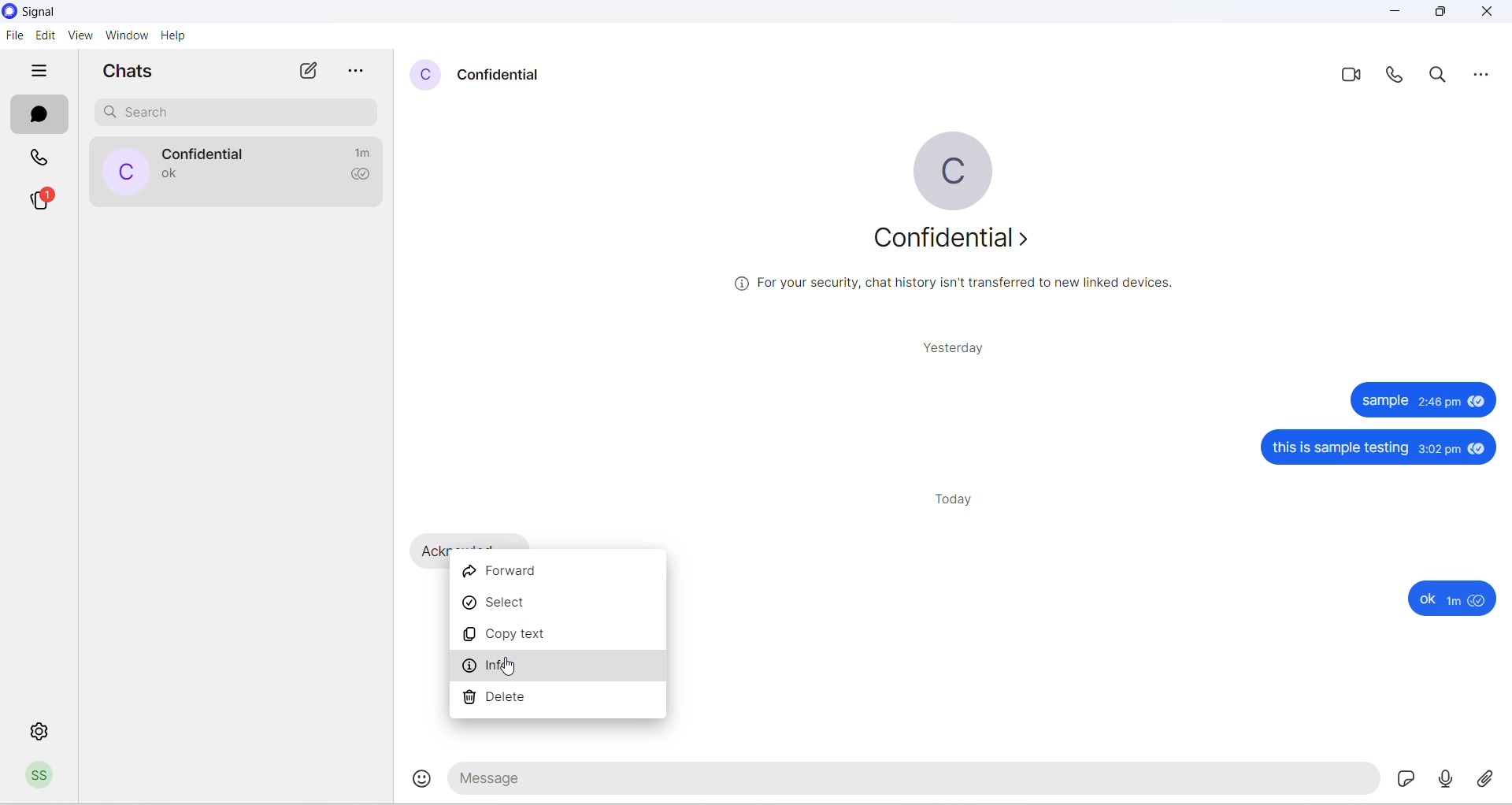  I want to click on select, so click(559, 606).